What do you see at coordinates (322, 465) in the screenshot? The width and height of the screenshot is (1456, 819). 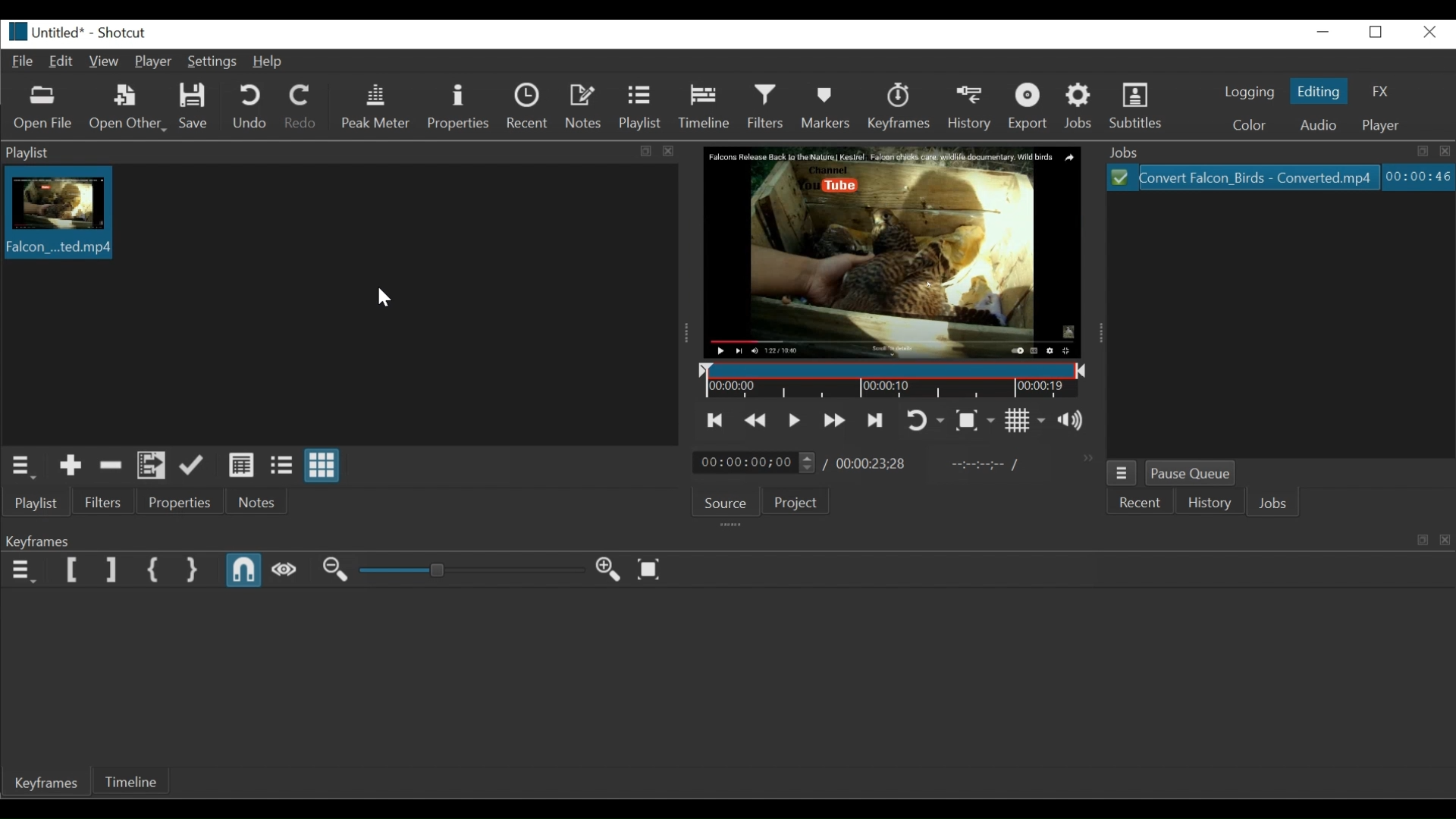 I see `View as icons` at bounding box center [322, 465].